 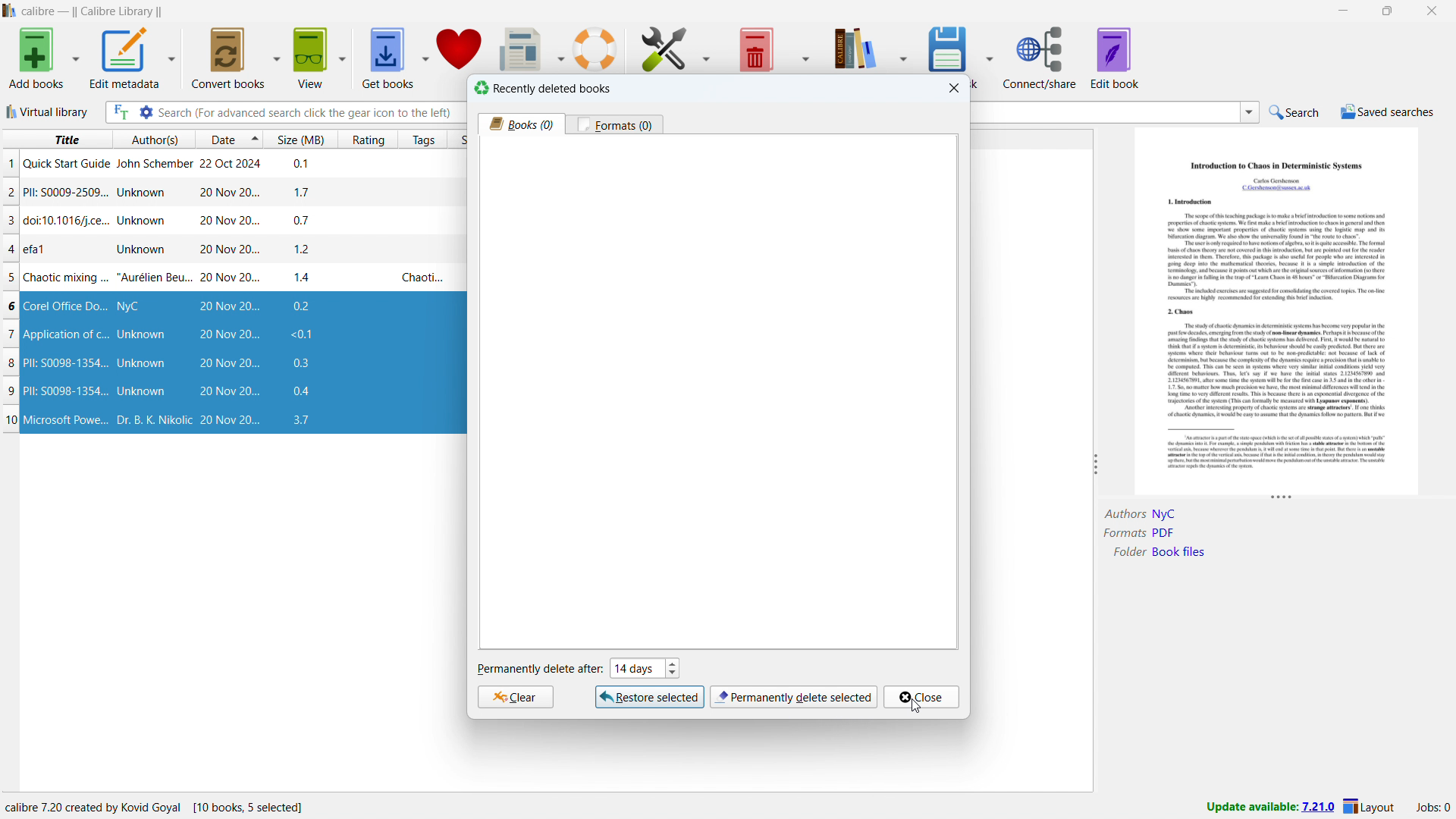 What do you see at coordinates (388, 58) in the screenshot?
I see `get books` at bounding box center [388, 58].